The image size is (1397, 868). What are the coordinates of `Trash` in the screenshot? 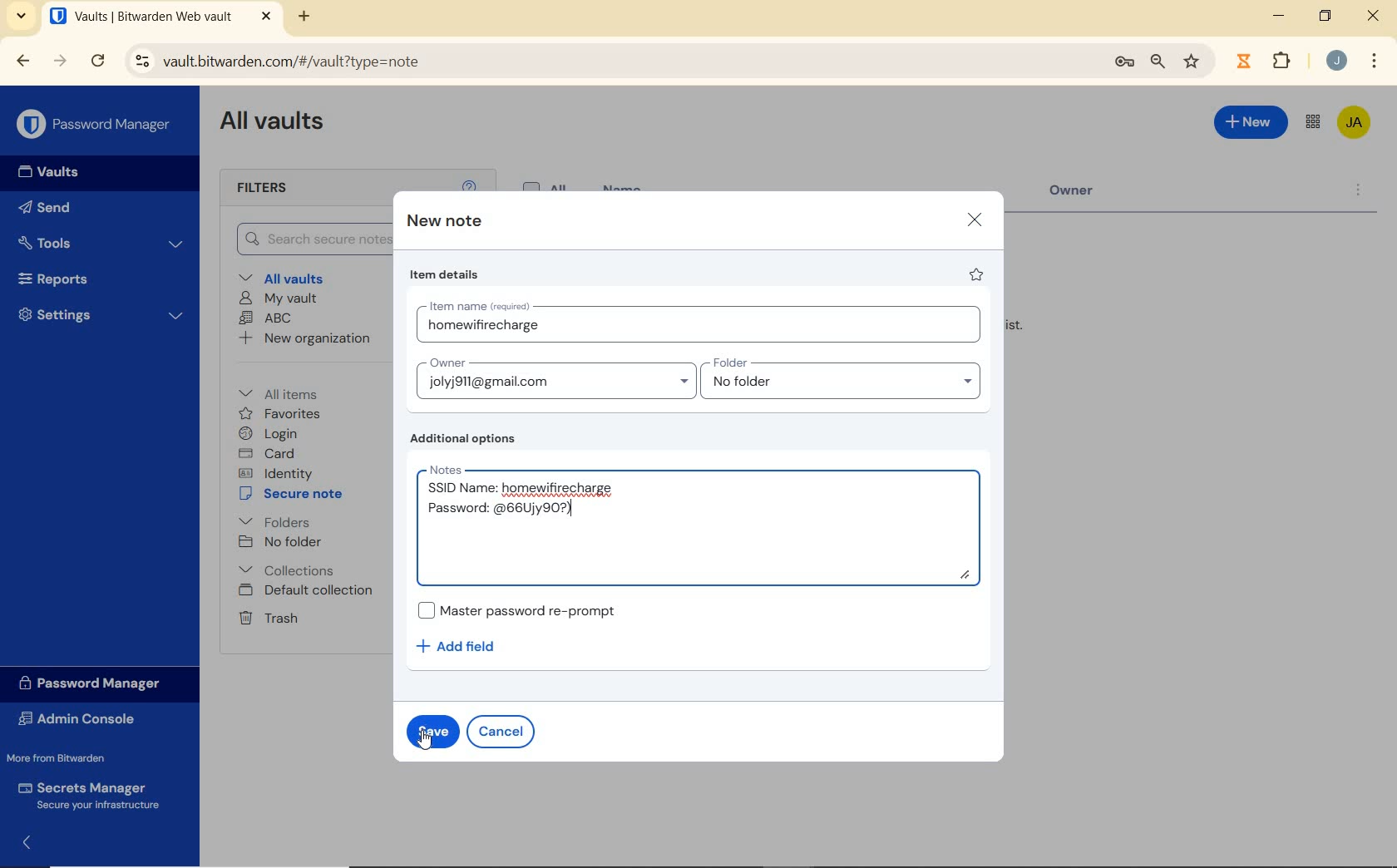 It's located at (268, 618).